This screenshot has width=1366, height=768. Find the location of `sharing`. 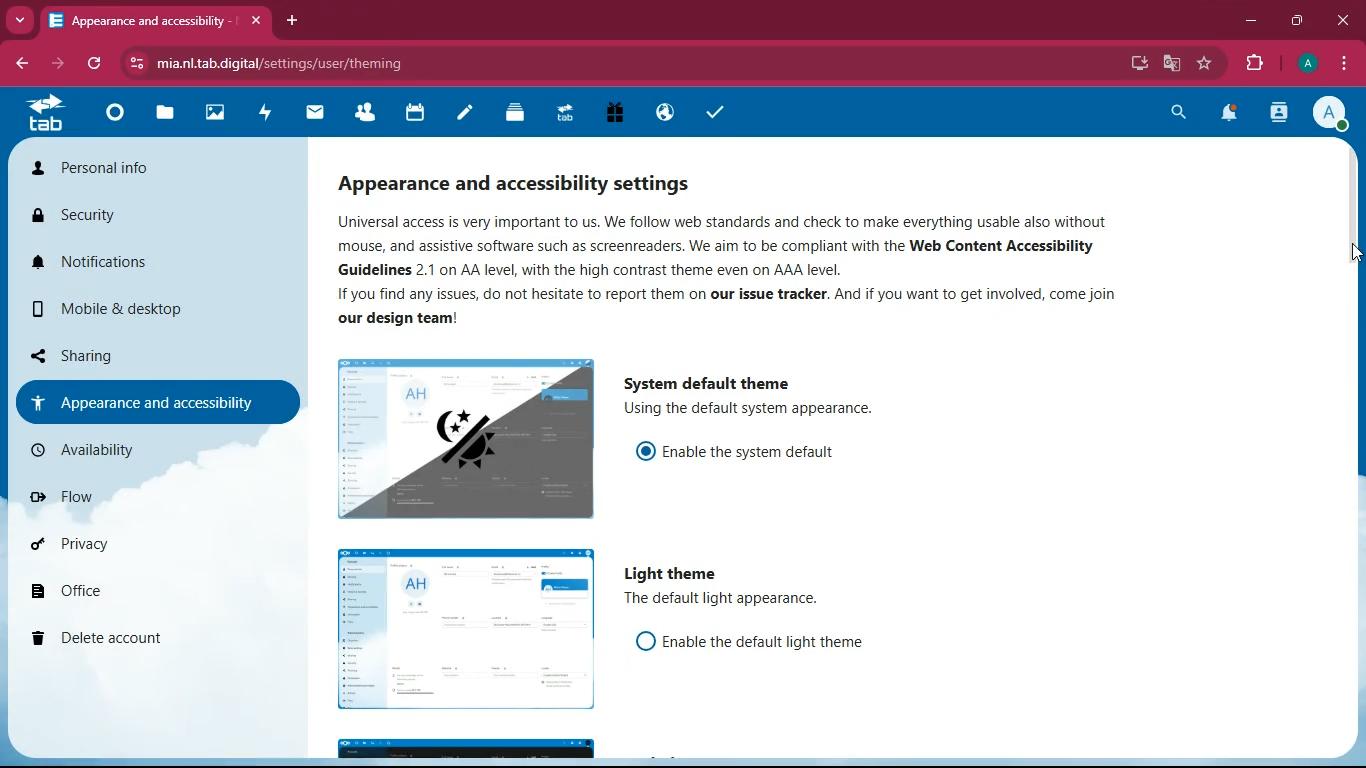

sharing is located at coordinates (97, 354).